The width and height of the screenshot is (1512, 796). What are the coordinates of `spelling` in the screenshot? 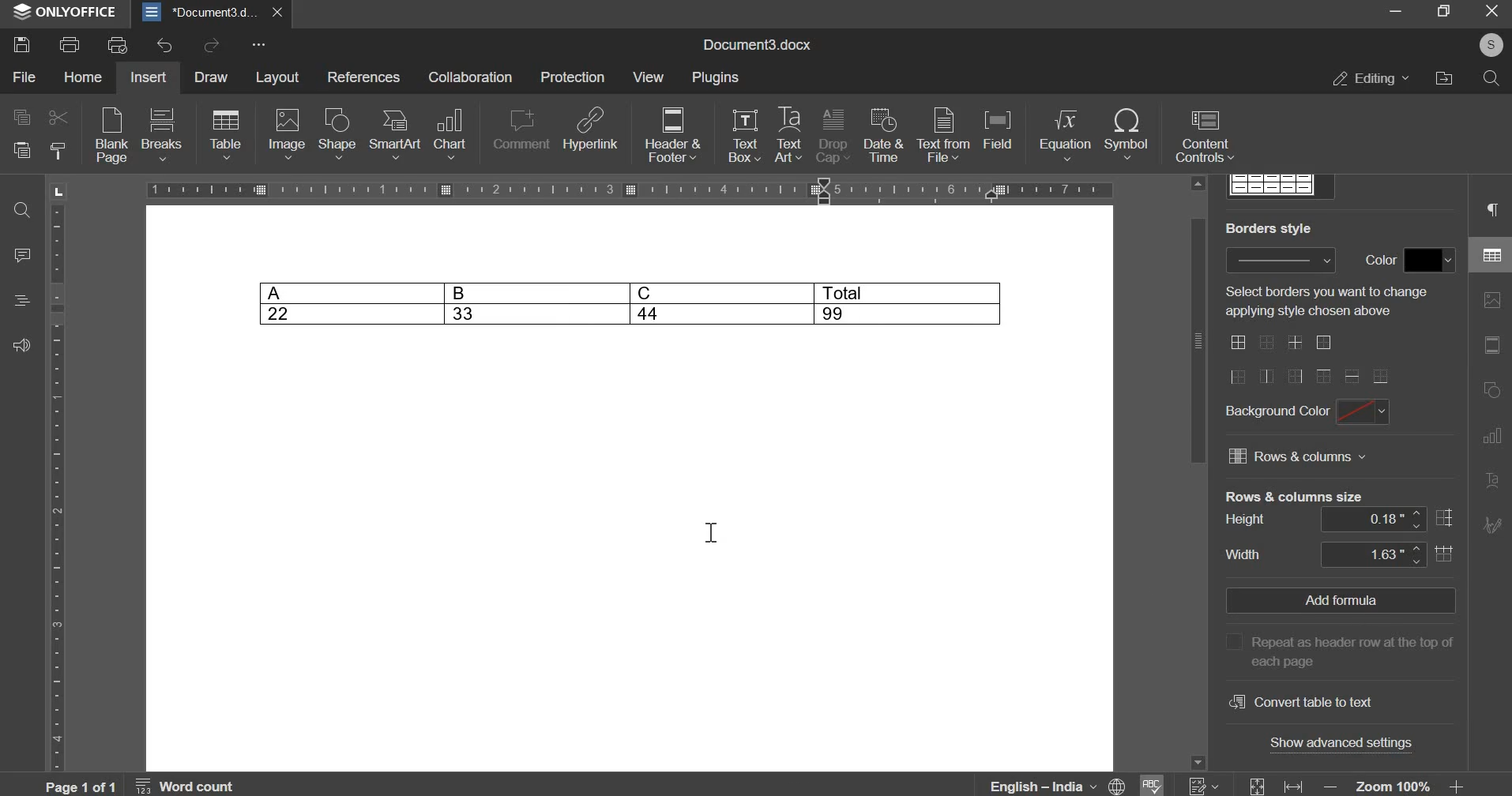 It's located at (1152, 784).